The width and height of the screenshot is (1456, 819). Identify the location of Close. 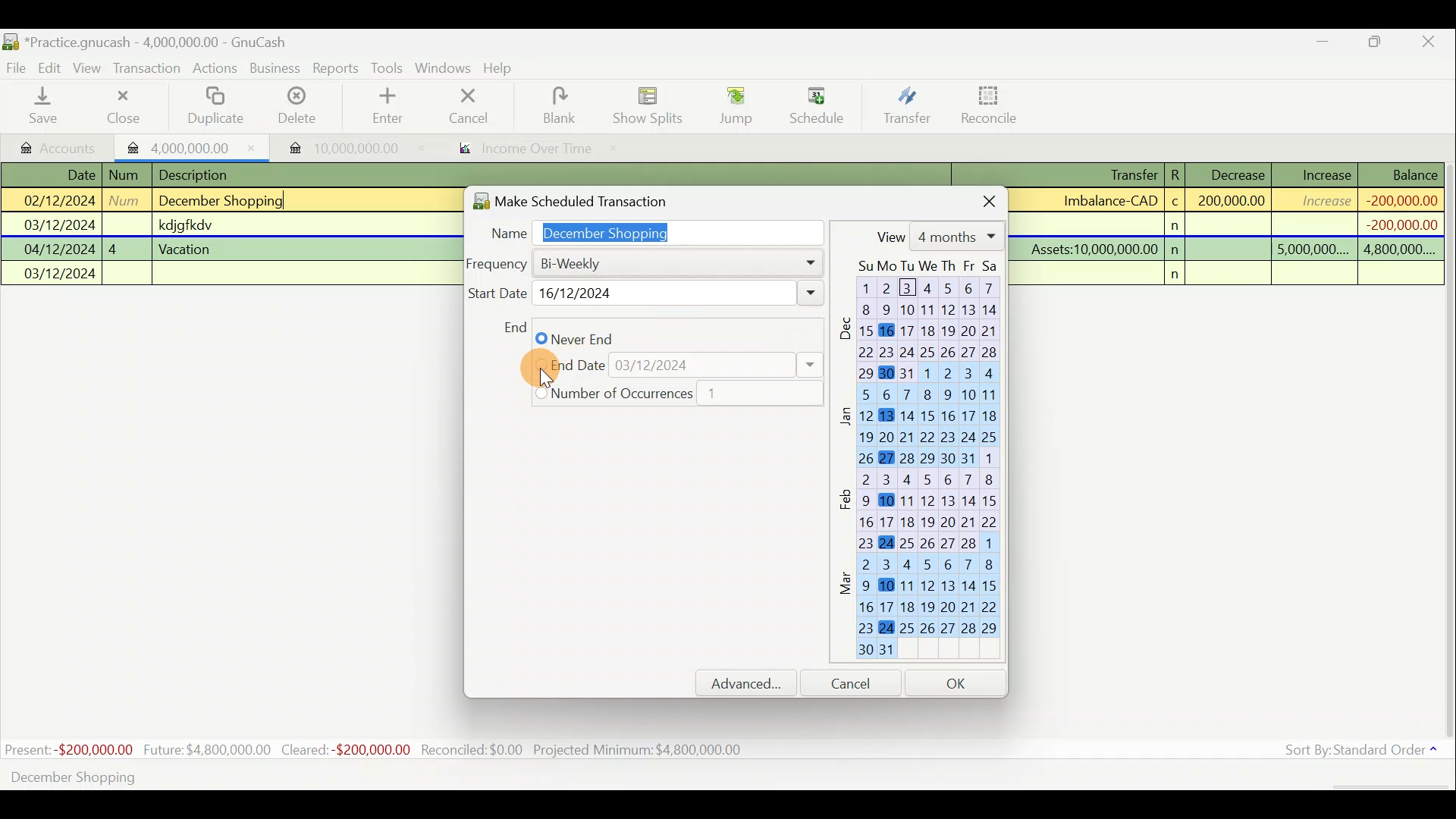
(122, 106).